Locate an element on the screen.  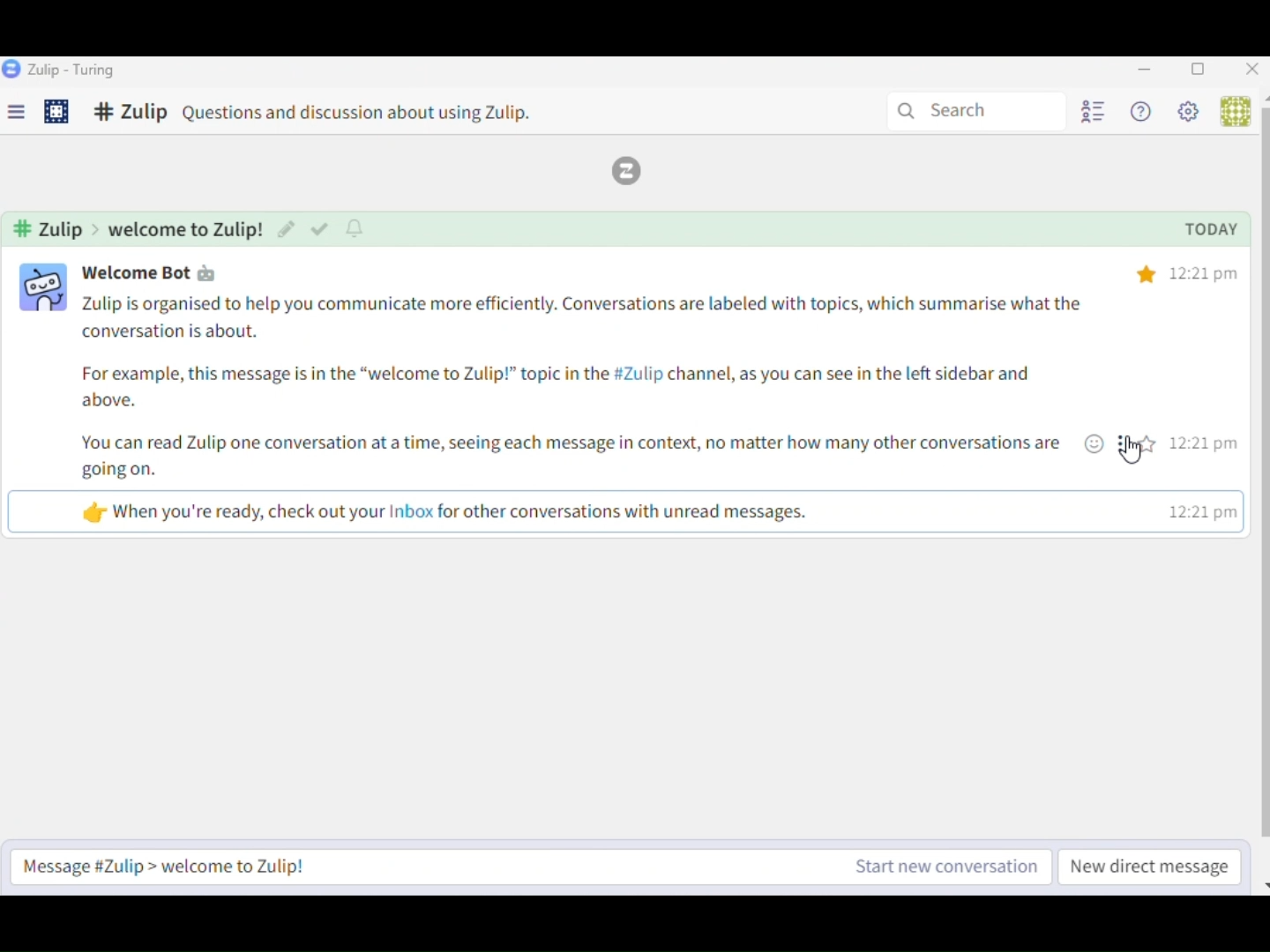
vertical scroll bar is located at coordinates (1262, 473).